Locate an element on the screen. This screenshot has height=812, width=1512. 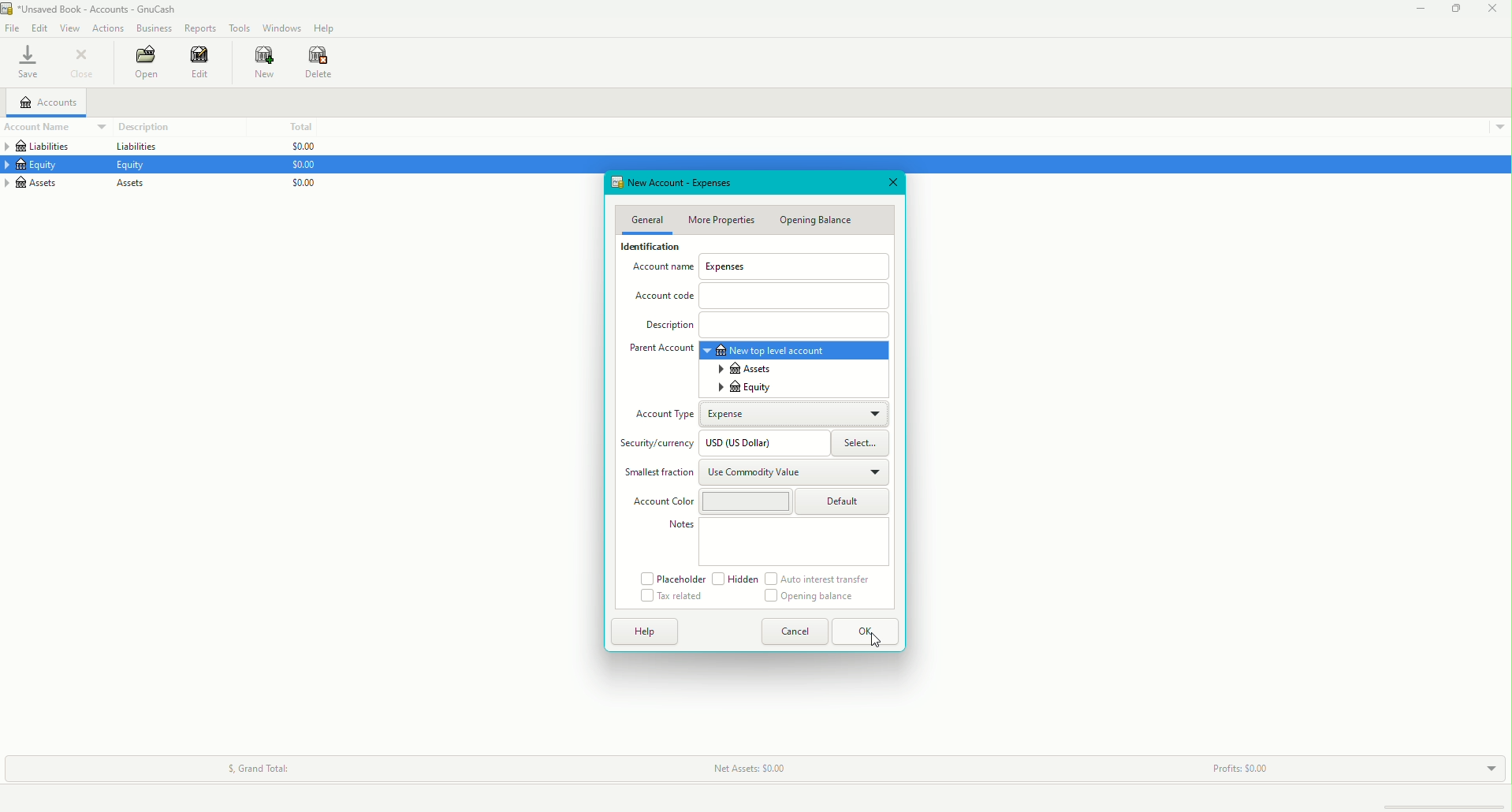
Expenses is located at coordinates (740, 268).